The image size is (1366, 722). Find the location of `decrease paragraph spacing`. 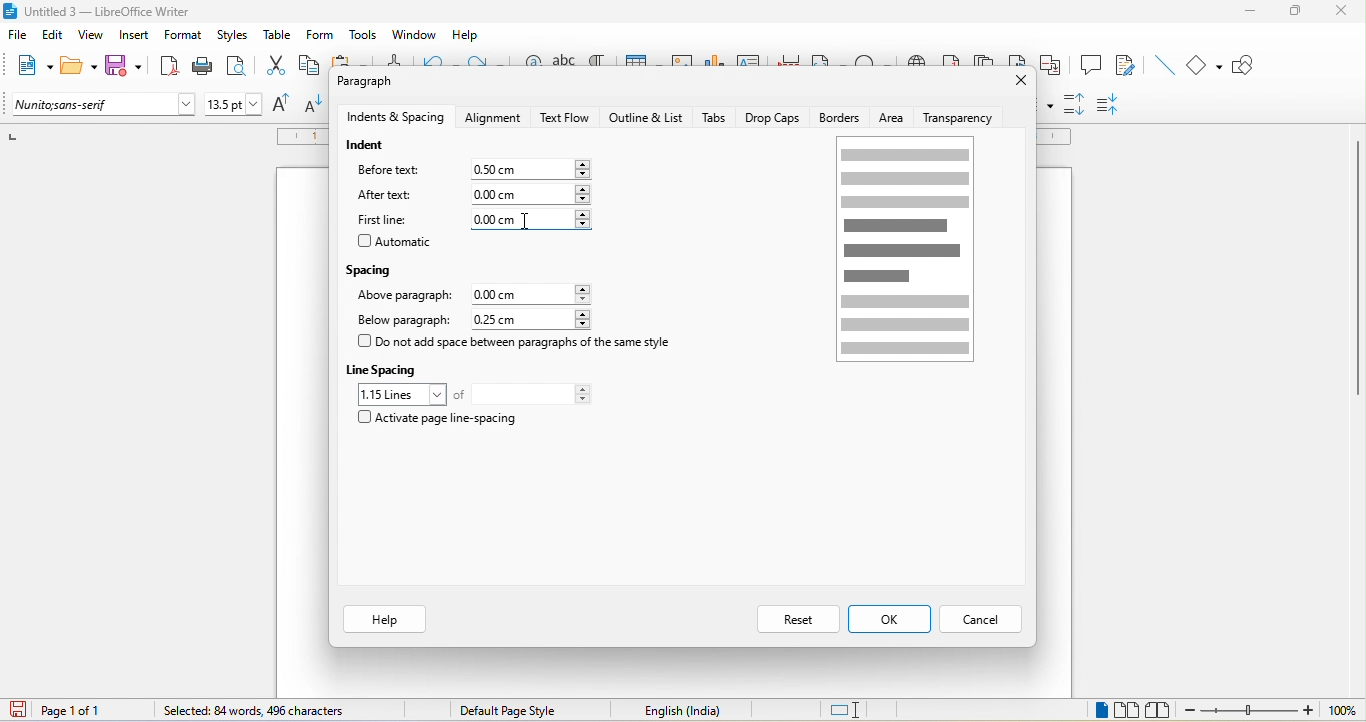

decrease paragraph spacing is located at coordinates (1112, 105).